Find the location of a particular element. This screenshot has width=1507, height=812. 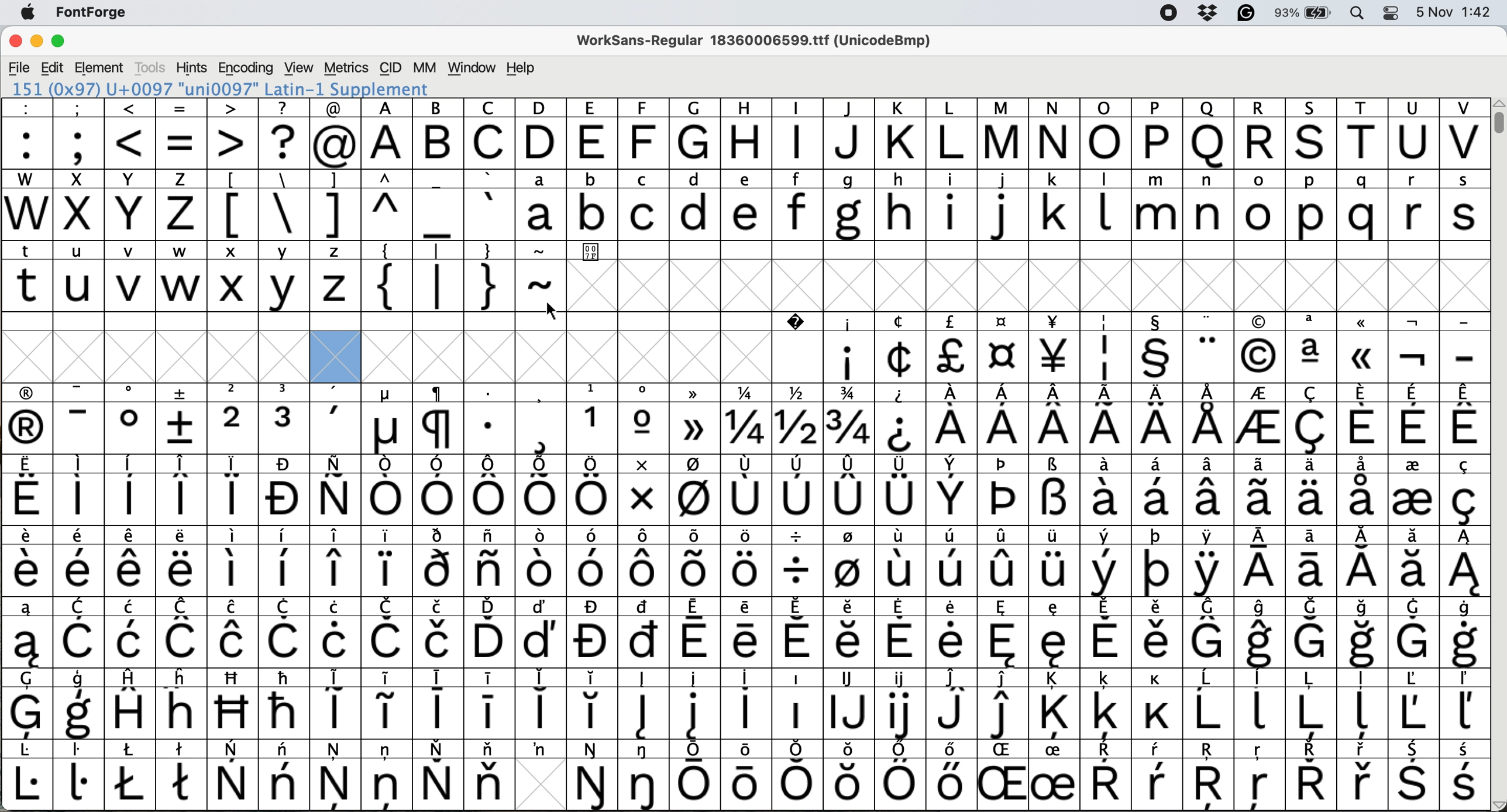

symbol is located at coordinates (130, 490).